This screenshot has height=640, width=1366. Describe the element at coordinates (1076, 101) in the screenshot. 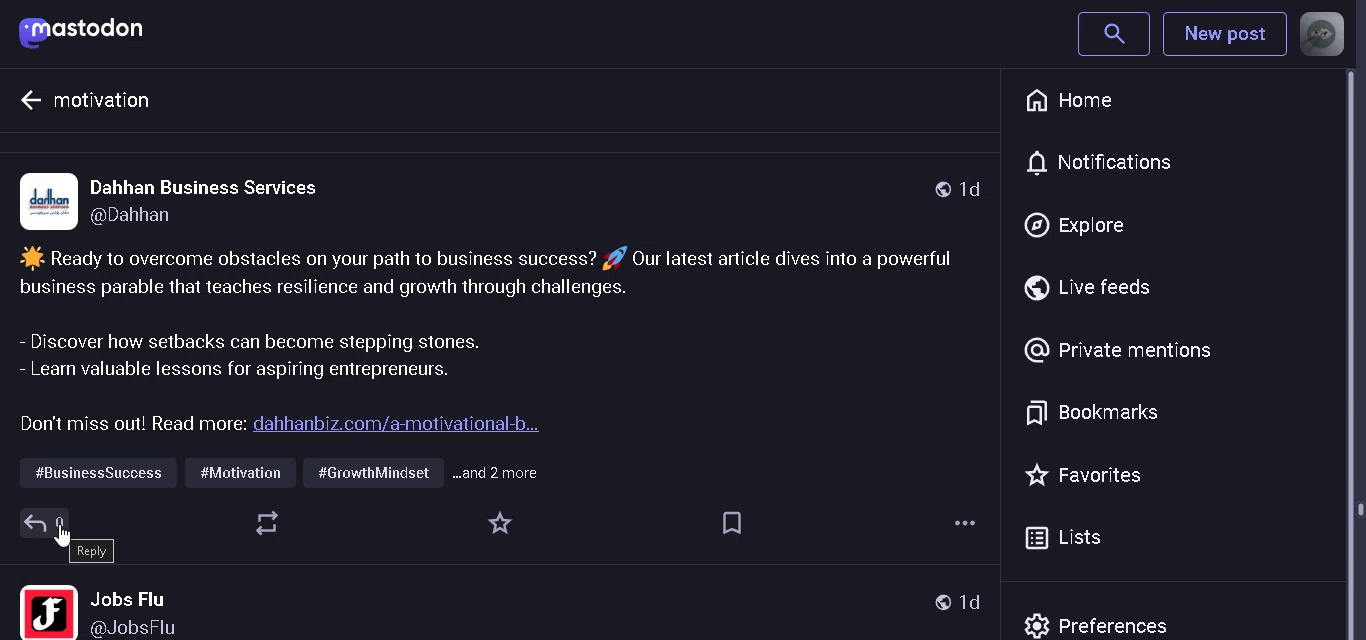

I see `home` at that location.